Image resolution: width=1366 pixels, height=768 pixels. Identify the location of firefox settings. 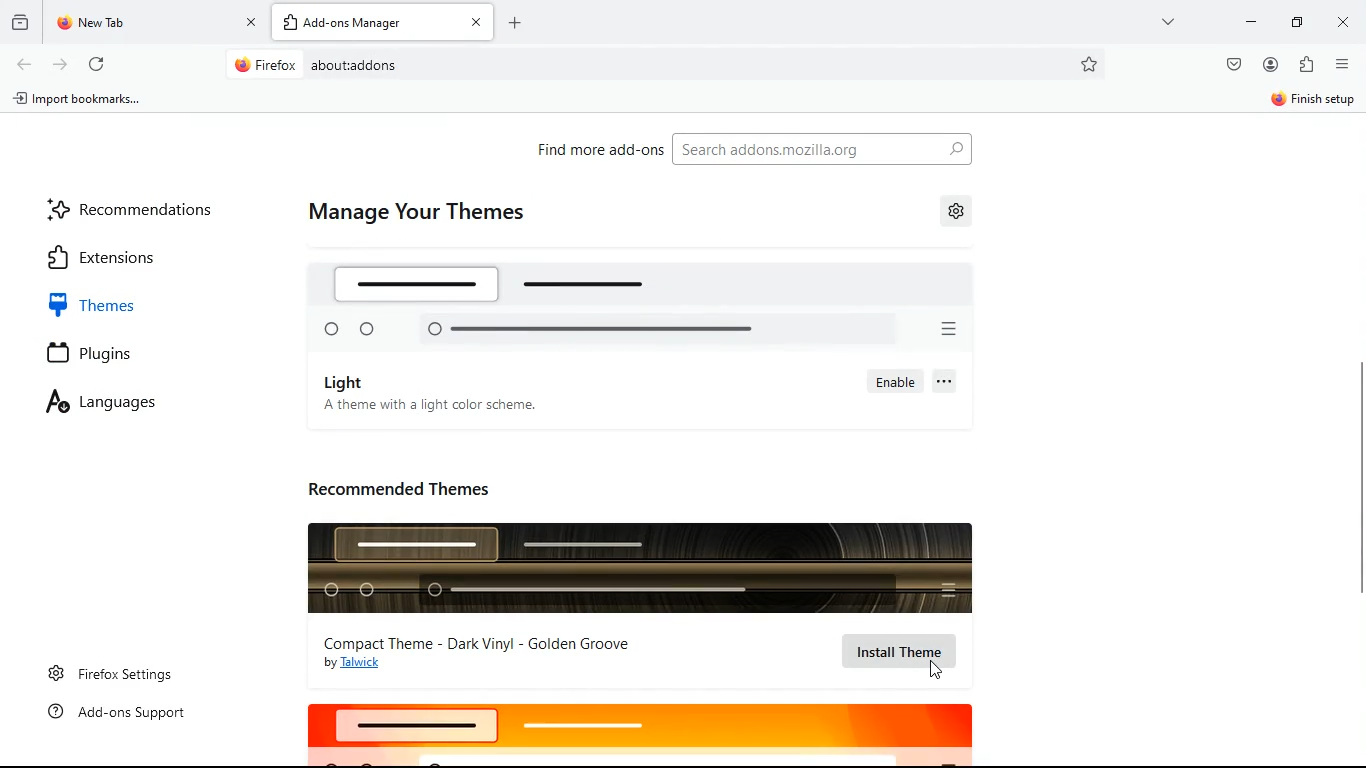
(114, 673).